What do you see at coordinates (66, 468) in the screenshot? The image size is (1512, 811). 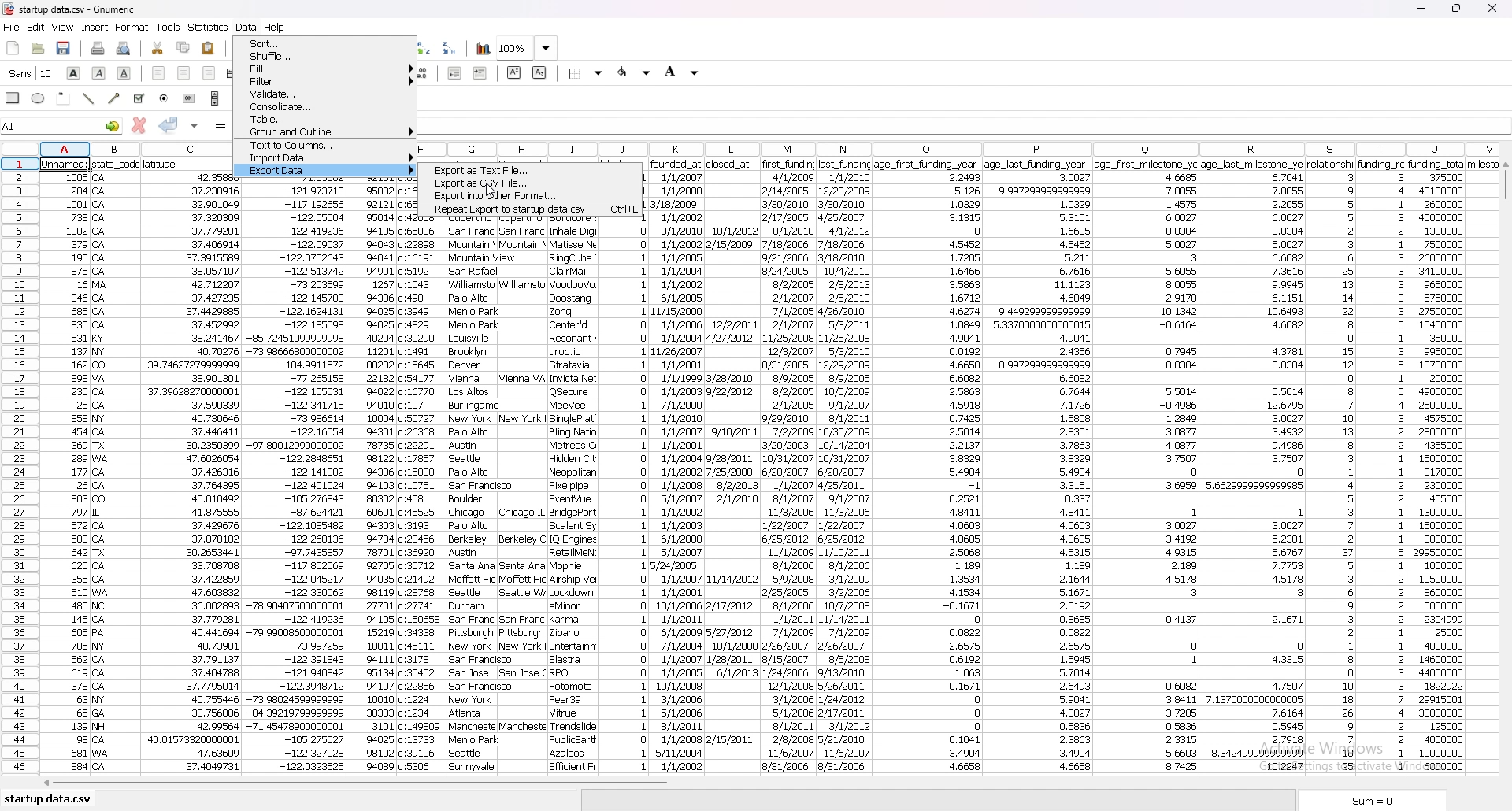 I see `` at bounding box center [66, 468].